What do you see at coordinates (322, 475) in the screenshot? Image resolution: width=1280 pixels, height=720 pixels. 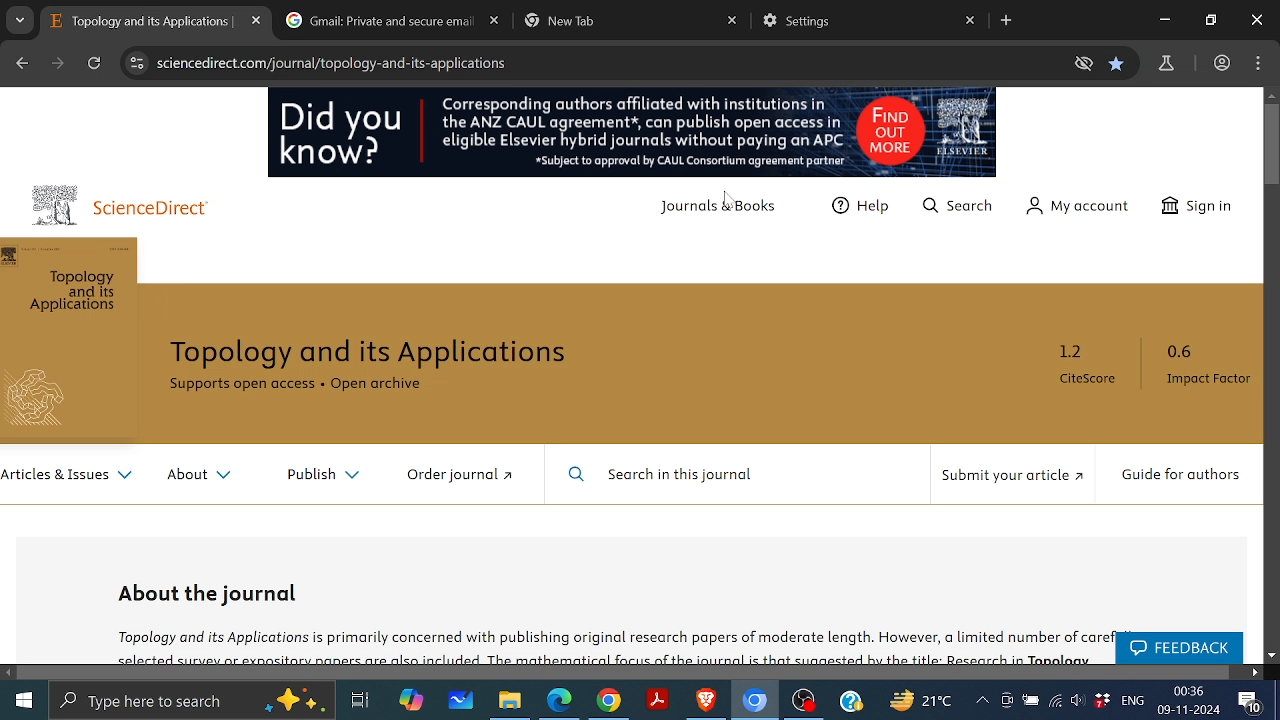 I see `Publish` at bounding box center [322, 475].